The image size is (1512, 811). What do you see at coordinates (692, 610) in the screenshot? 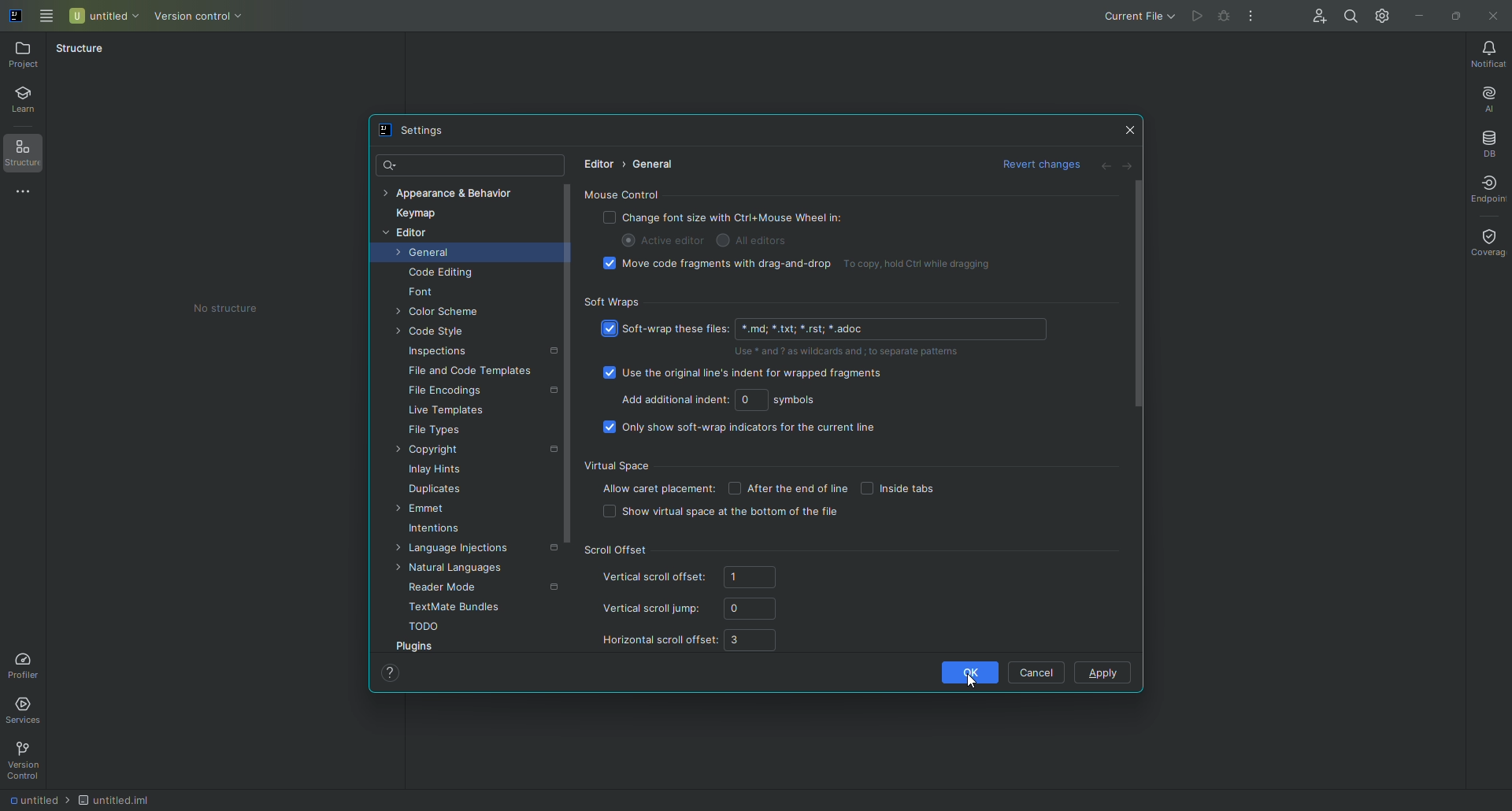
I see `Vertical scroll jump` at bounding box center [692, 610].